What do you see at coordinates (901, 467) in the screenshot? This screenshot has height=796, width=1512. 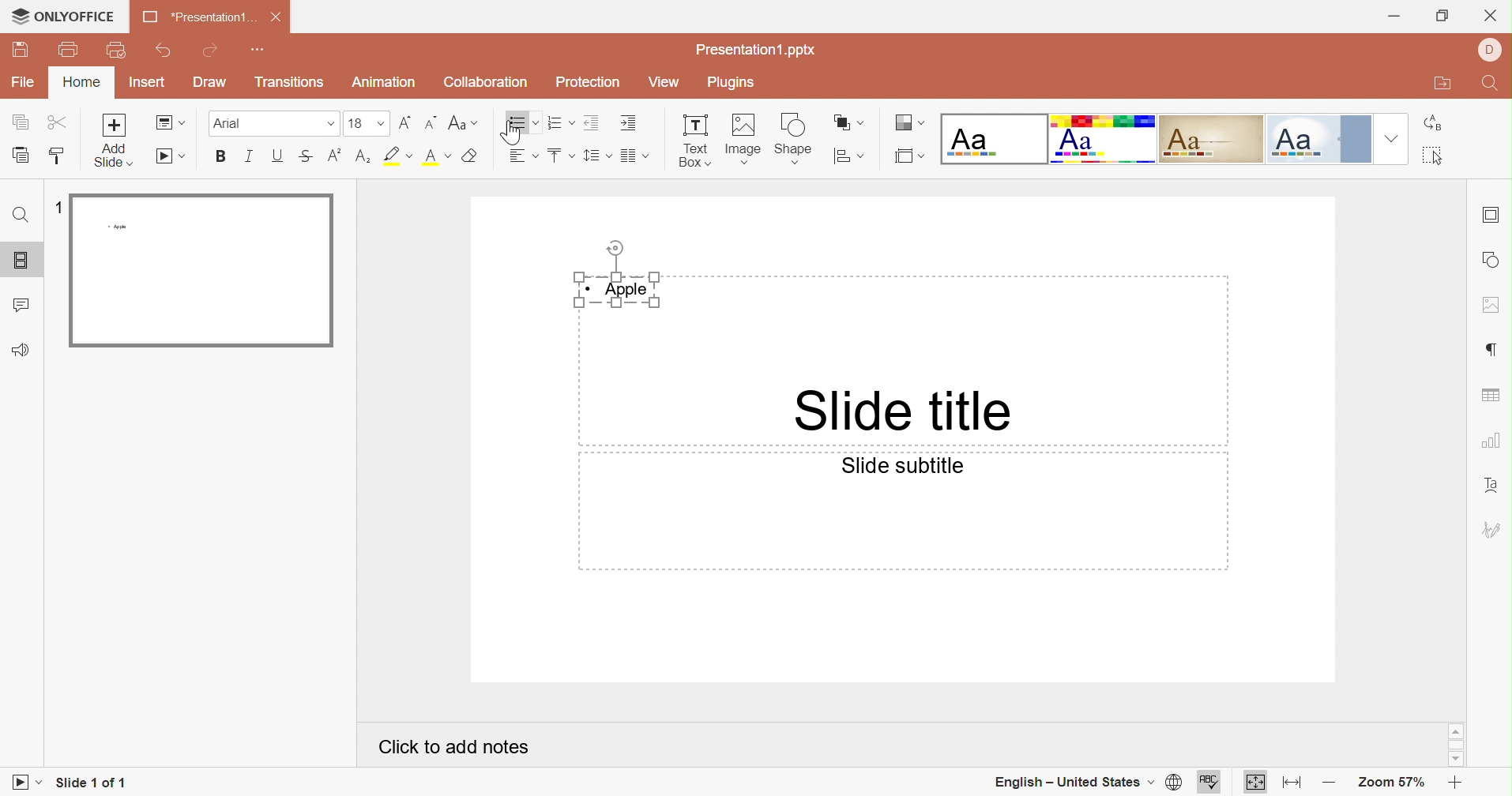 I see `Slide subtitle` at bounding box center [901, 467].